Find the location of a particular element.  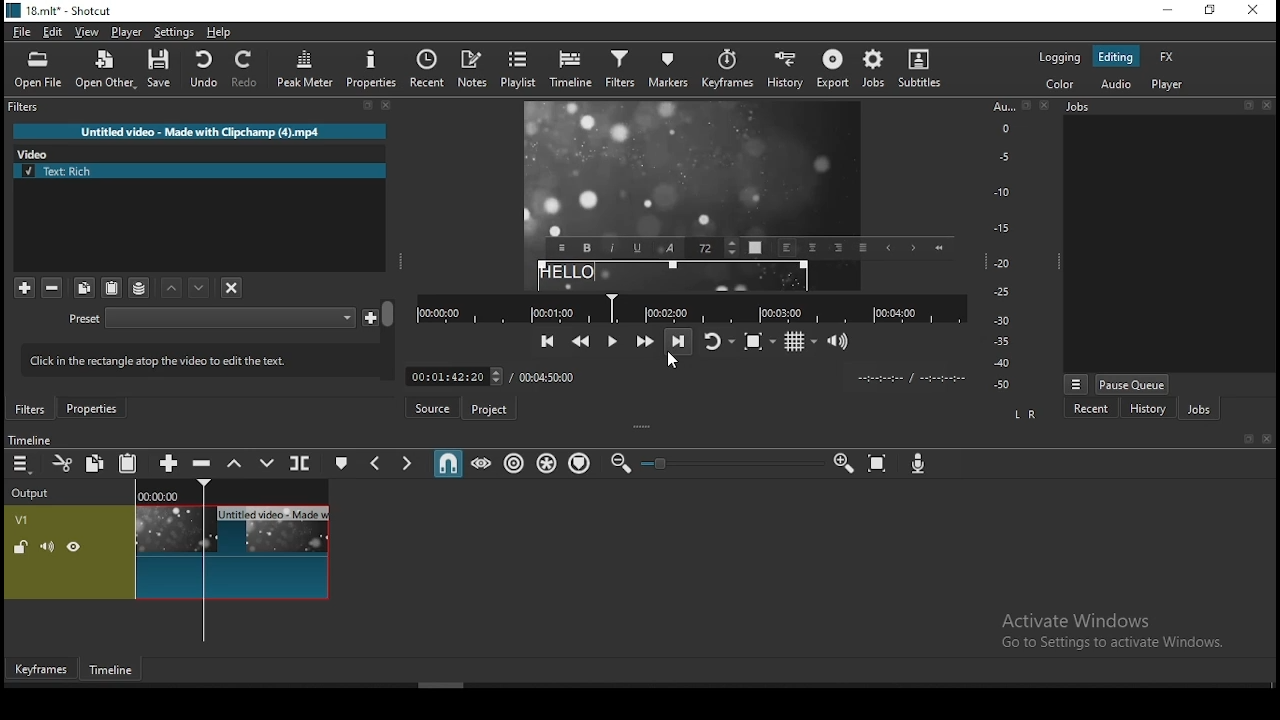

zoom timeline in is located at coordinates (842, 462).